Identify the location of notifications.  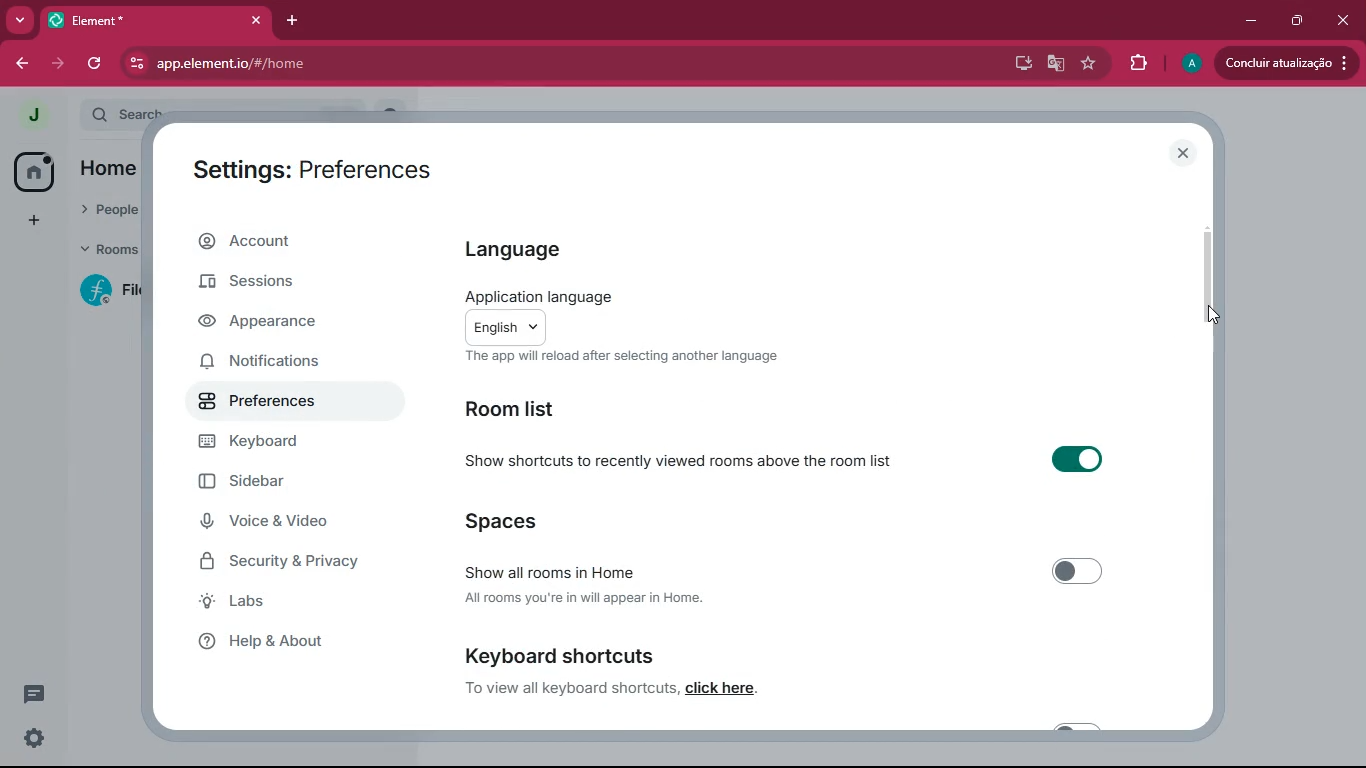
(276, 363).